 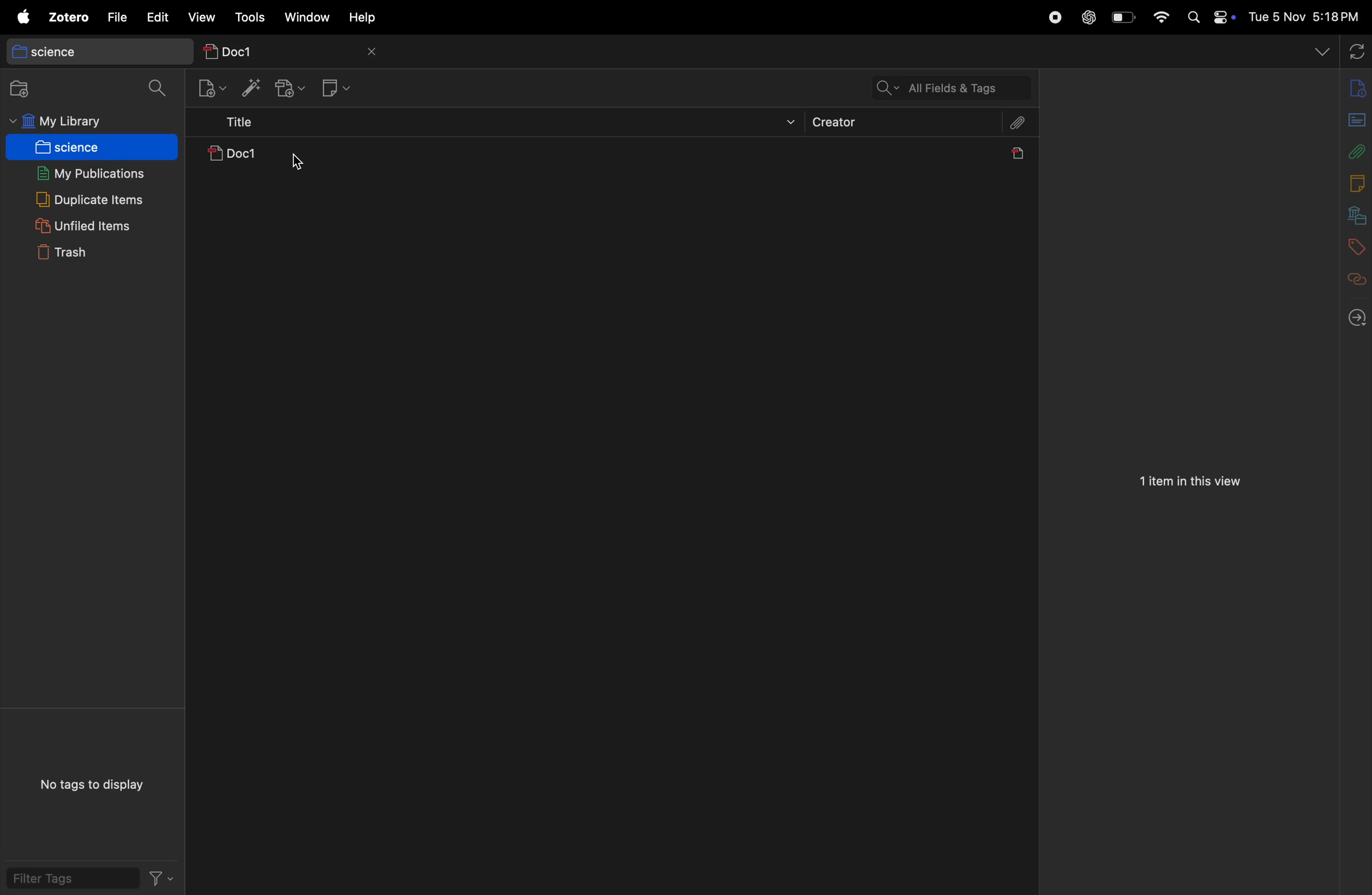 What do you see at coordinates (947, 87) in the screenshot?
I see `All fields and tags (search bar)` at bounding box center [947, 87].